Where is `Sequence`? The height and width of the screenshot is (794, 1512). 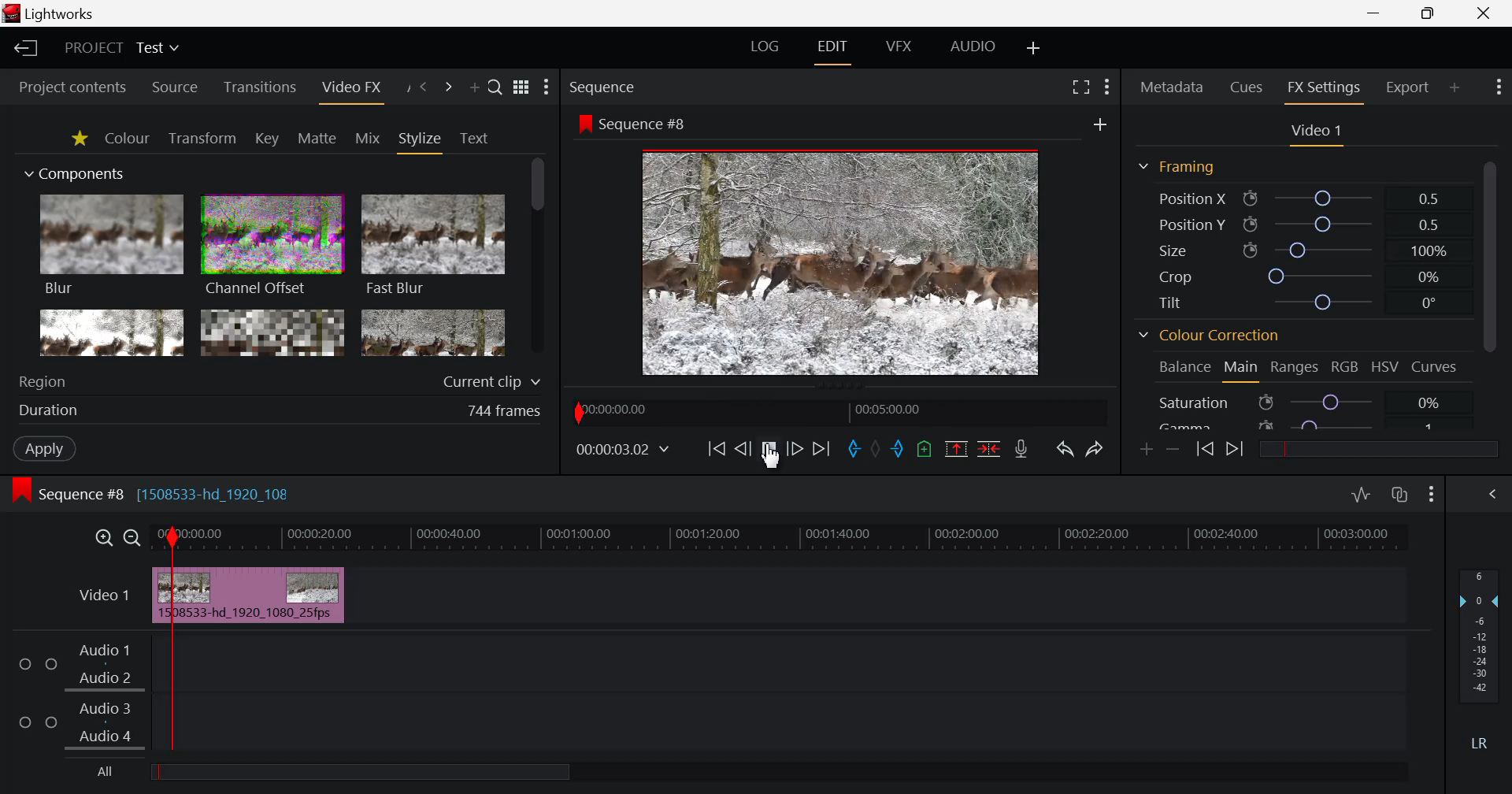 Sequence is located at coordinates (632, 86).